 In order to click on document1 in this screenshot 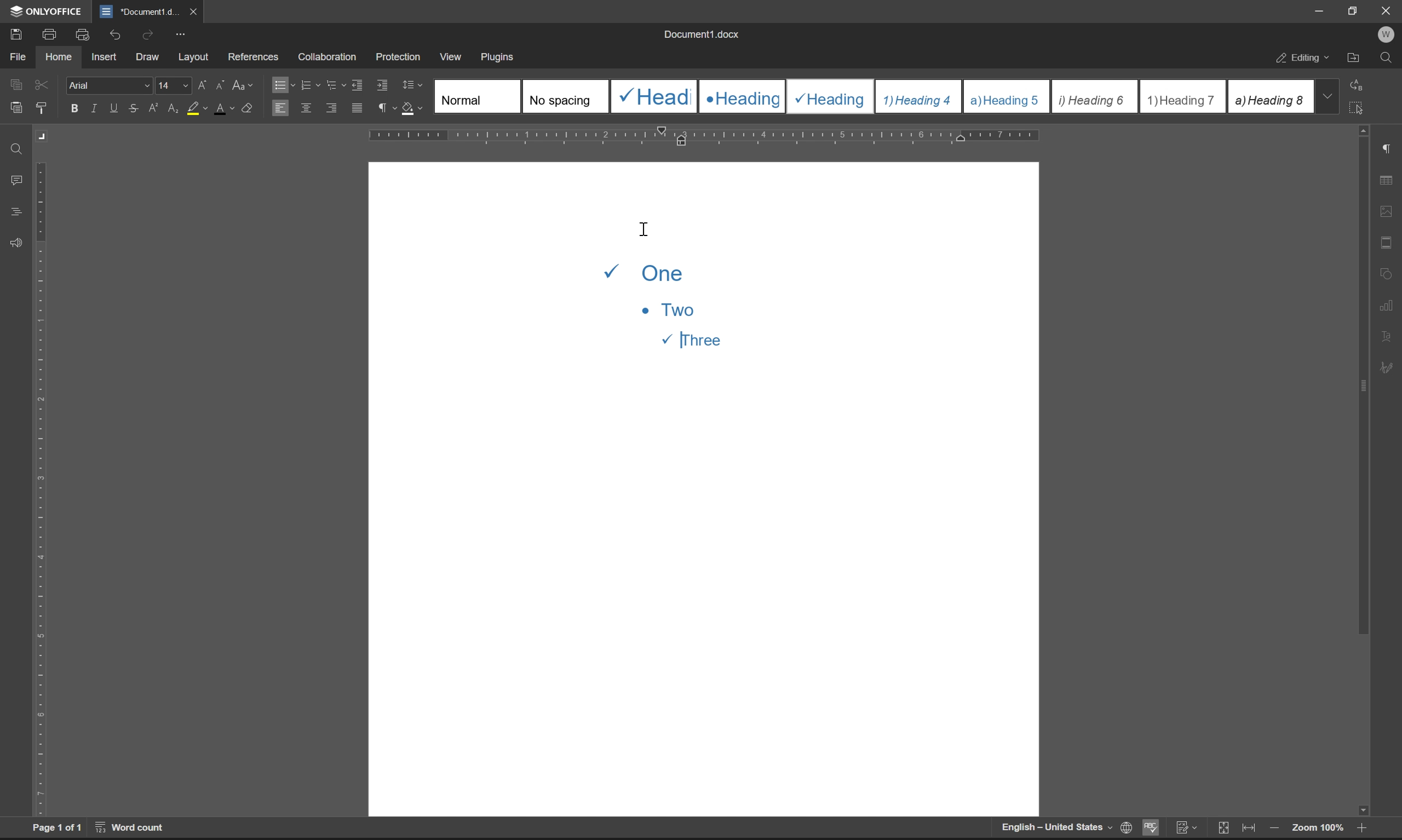, I will do `click(139, 12)`.